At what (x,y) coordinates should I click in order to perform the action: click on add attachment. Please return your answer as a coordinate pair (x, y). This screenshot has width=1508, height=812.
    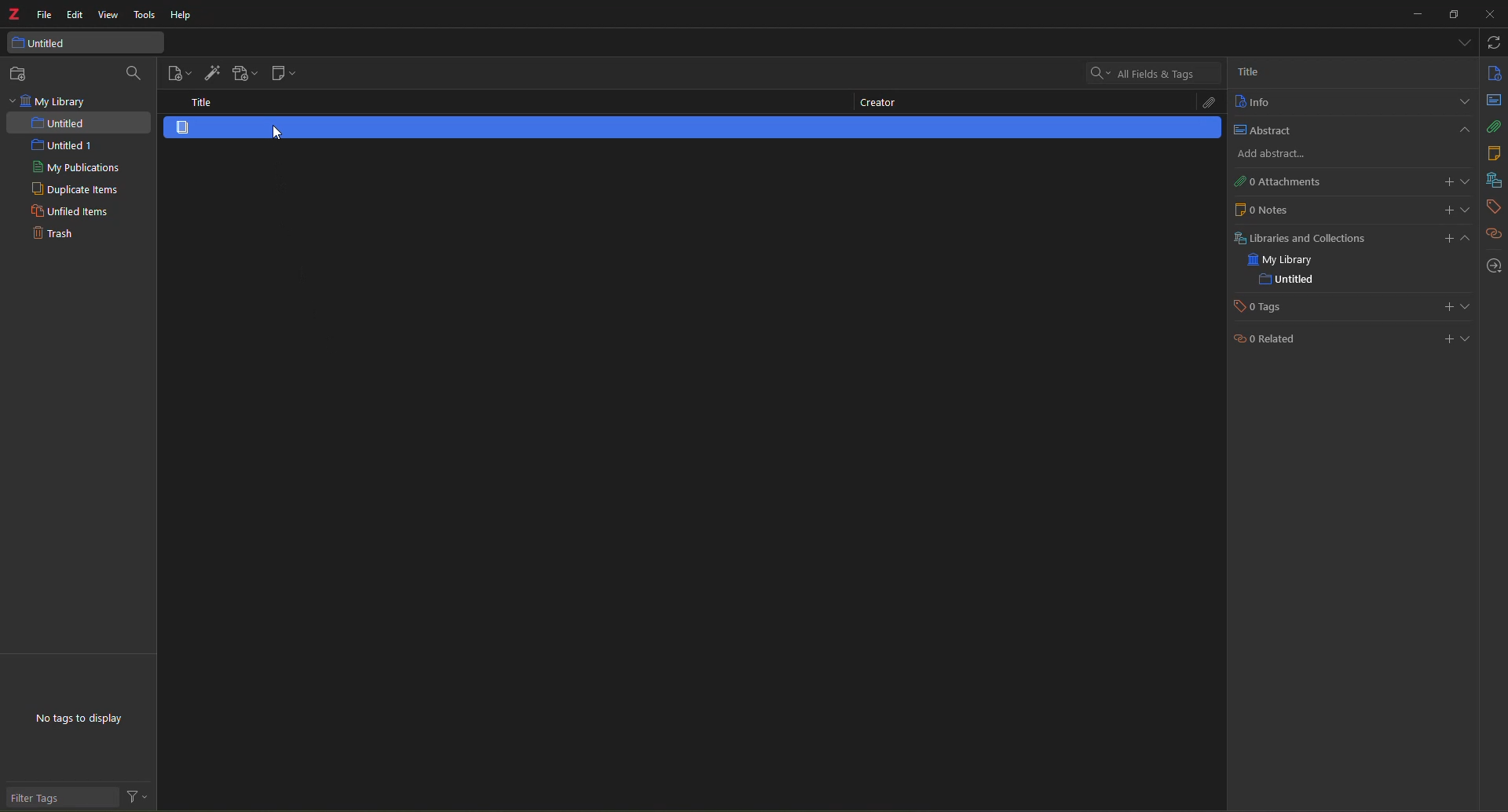
    Looking at the image, I should click on (243, 74).